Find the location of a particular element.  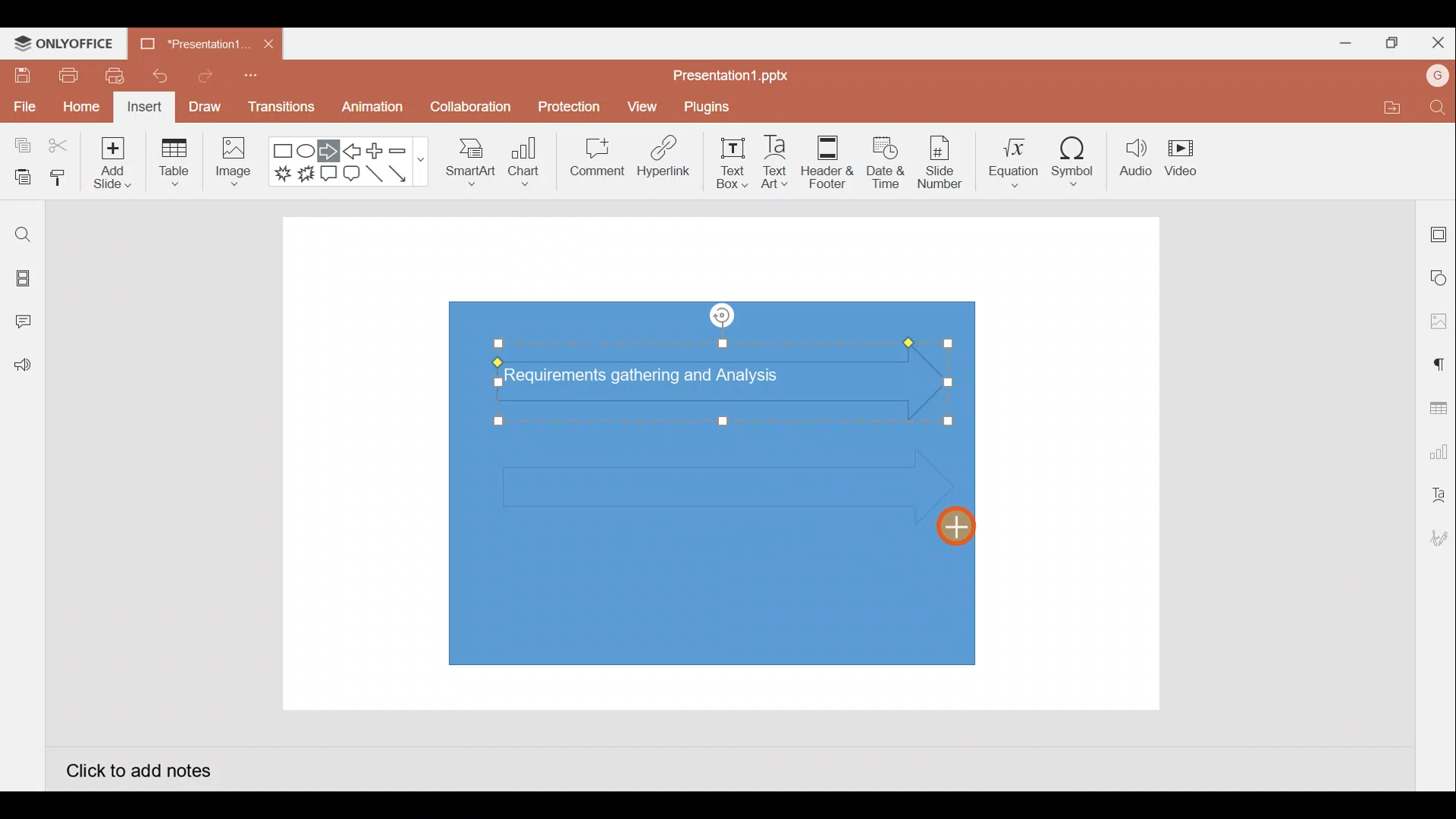

Transitions is located at coordinates (282, 111).